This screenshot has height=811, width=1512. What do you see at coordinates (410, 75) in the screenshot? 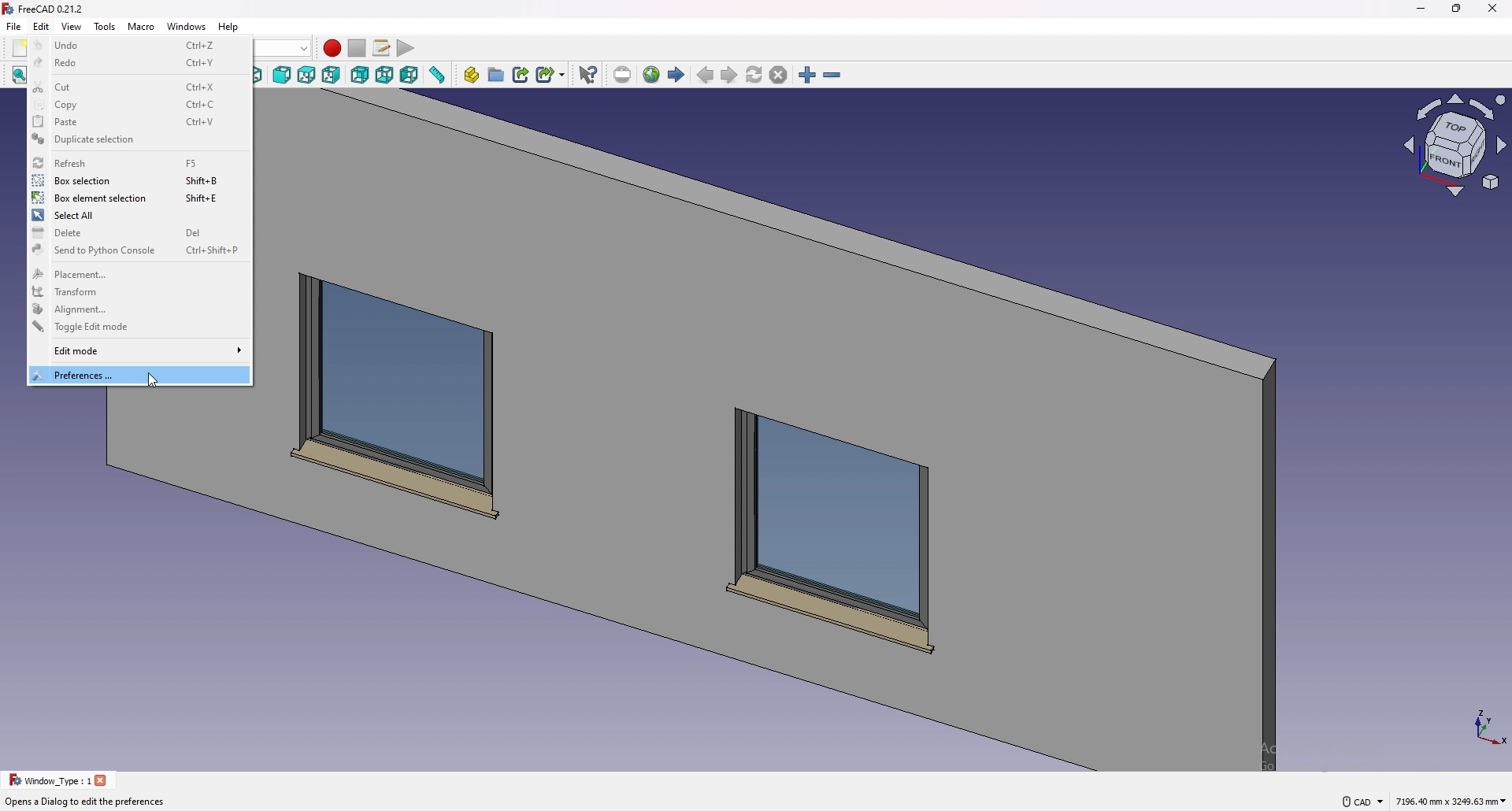
I see `left` at bounding box center [410, 75].